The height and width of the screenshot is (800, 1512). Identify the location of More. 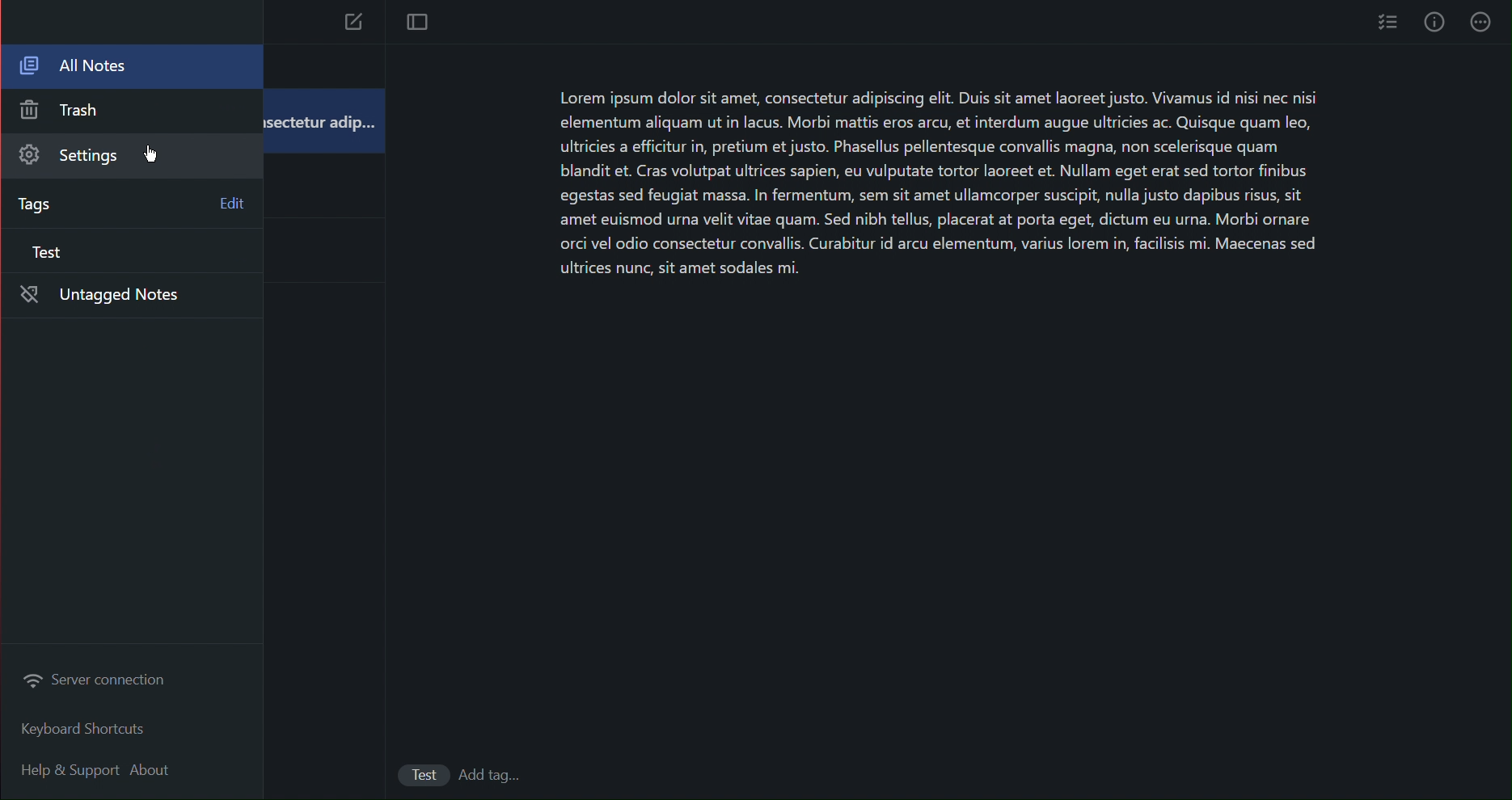
(1483, 23).